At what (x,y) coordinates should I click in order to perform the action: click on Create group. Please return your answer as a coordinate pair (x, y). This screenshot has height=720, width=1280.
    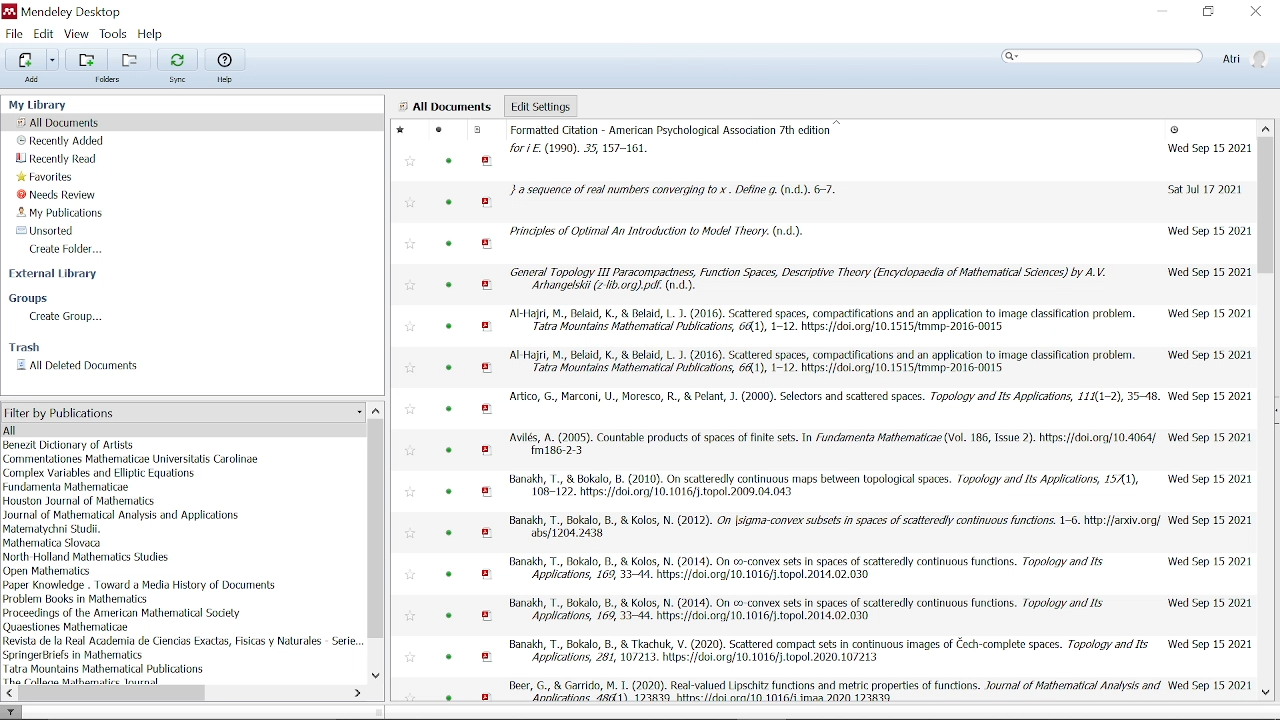
    Looking at the image, I should click on (68, 317).